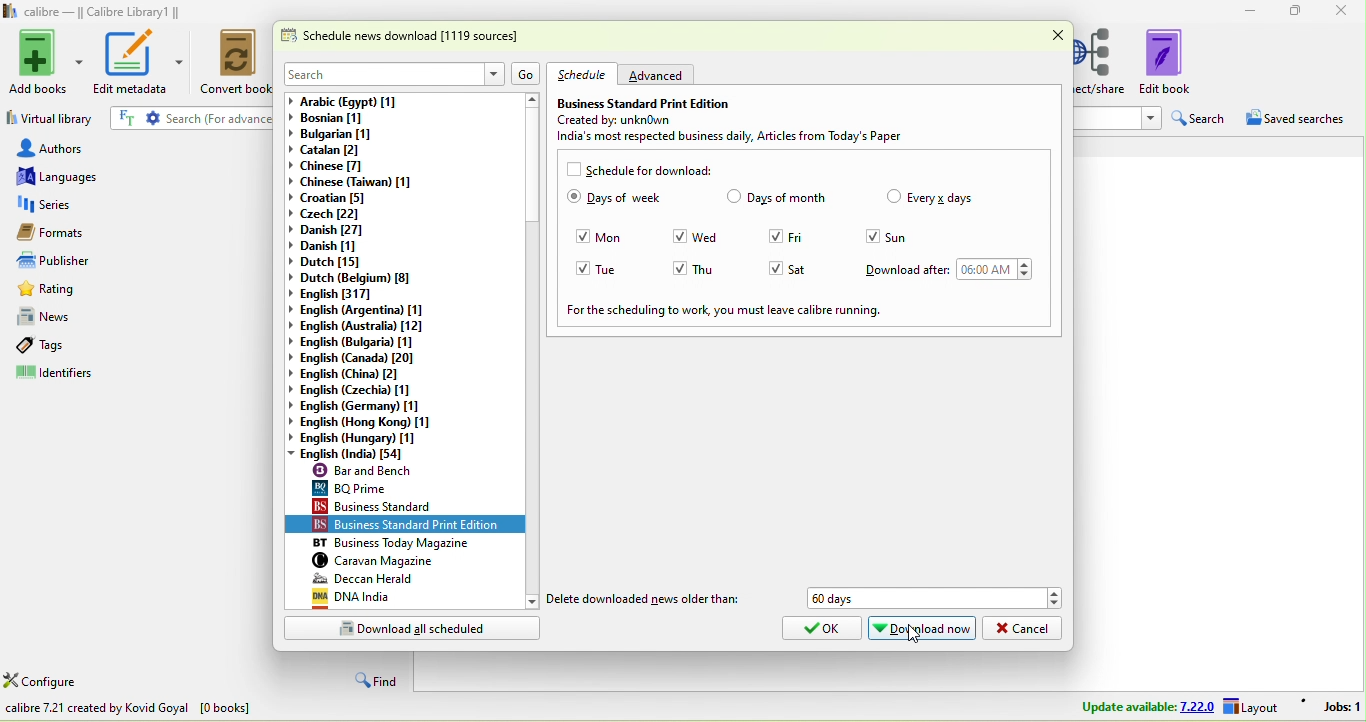 This screenshot has width=1366, height=722. What do you see at coordinates (357, 310) in the screenshot?
I see `english (argentina)[1]` at bounding box center [357, 310].